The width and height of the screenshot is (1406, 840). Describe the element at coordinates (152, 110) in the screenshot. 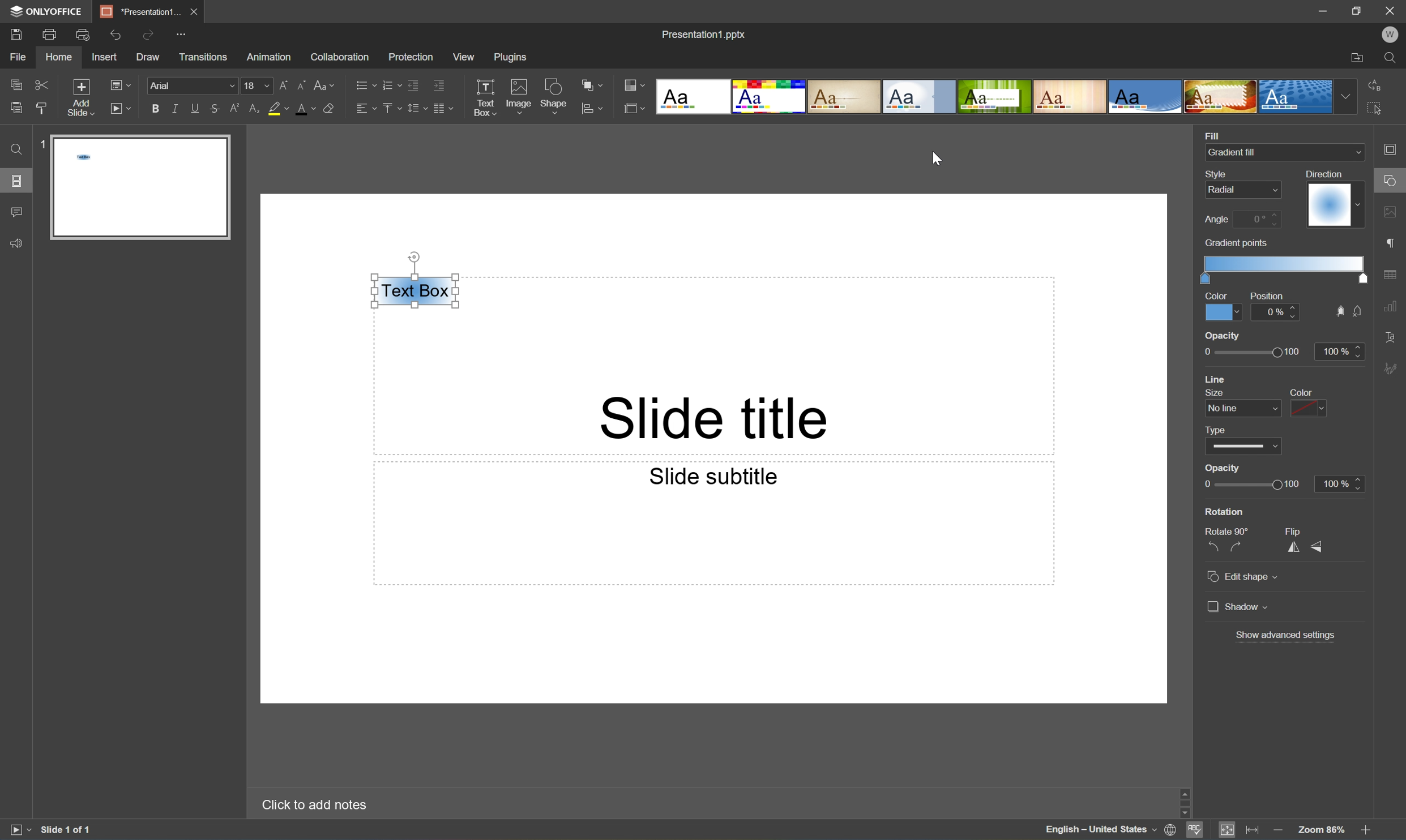

I see `Bold` at that location.